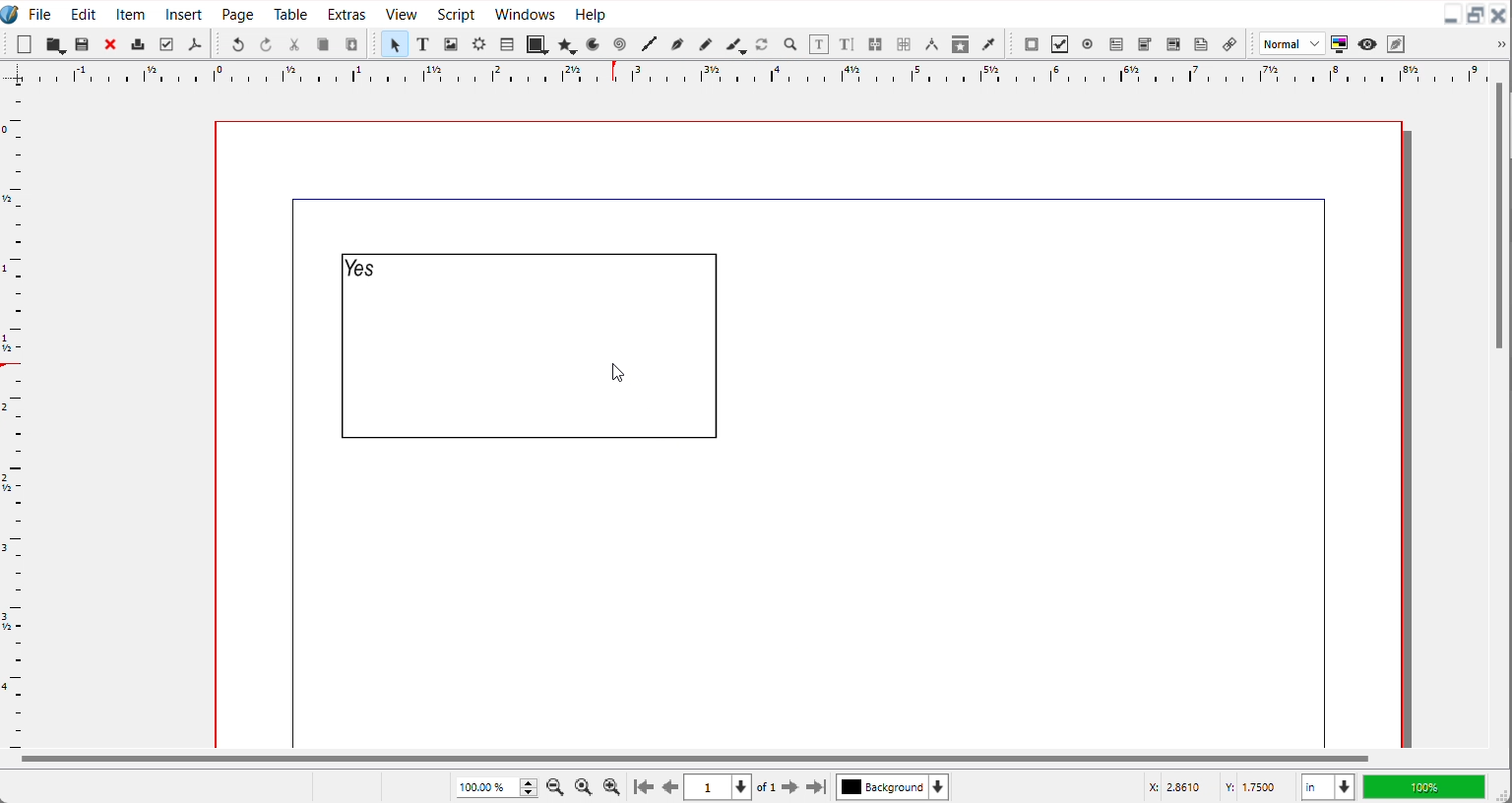 The width and height of the screenshot is (1512, 803). I want to click on Text Frame, so click(423, 43).